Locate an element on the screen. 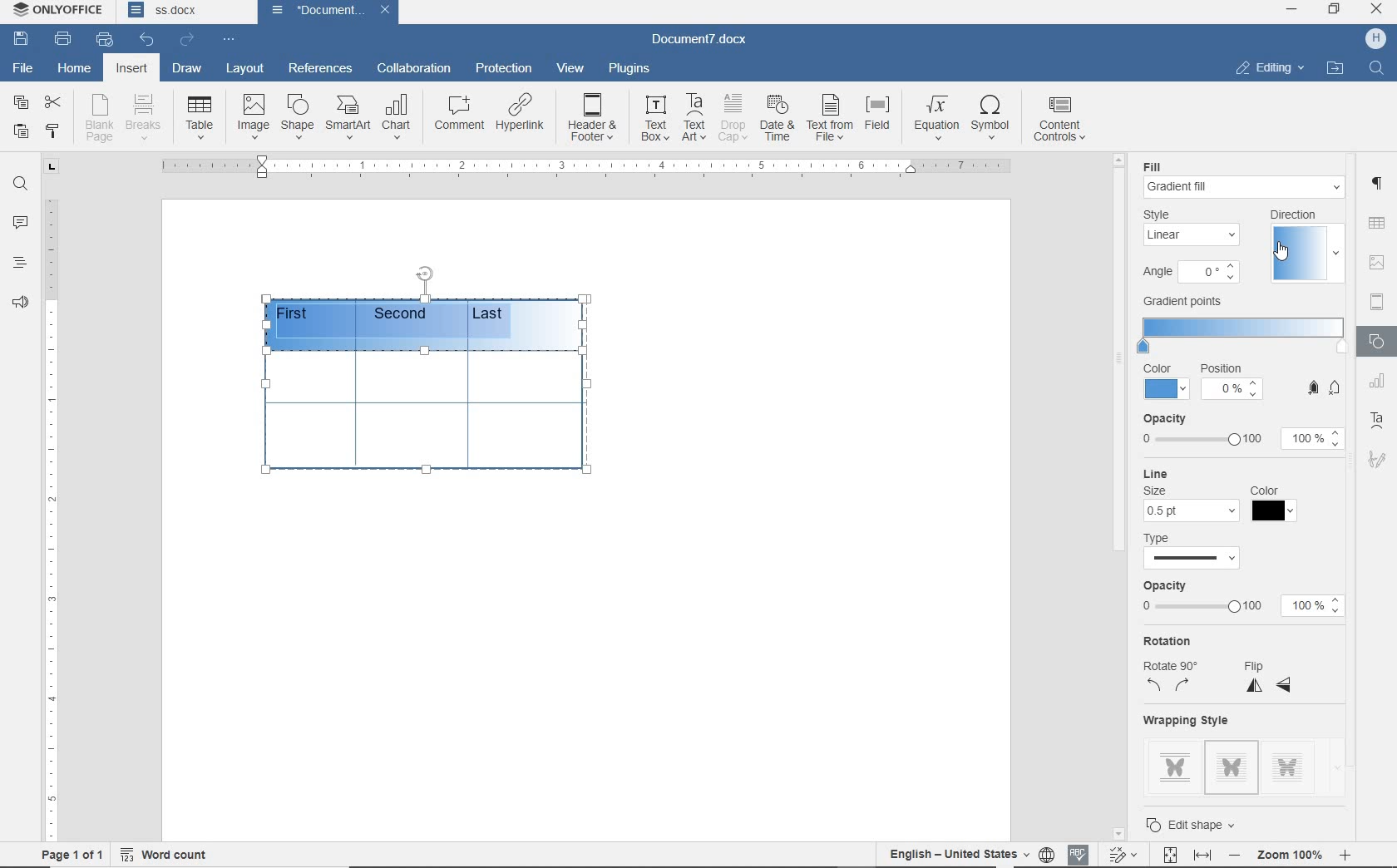  quick print is located at coordinates (104, 40).